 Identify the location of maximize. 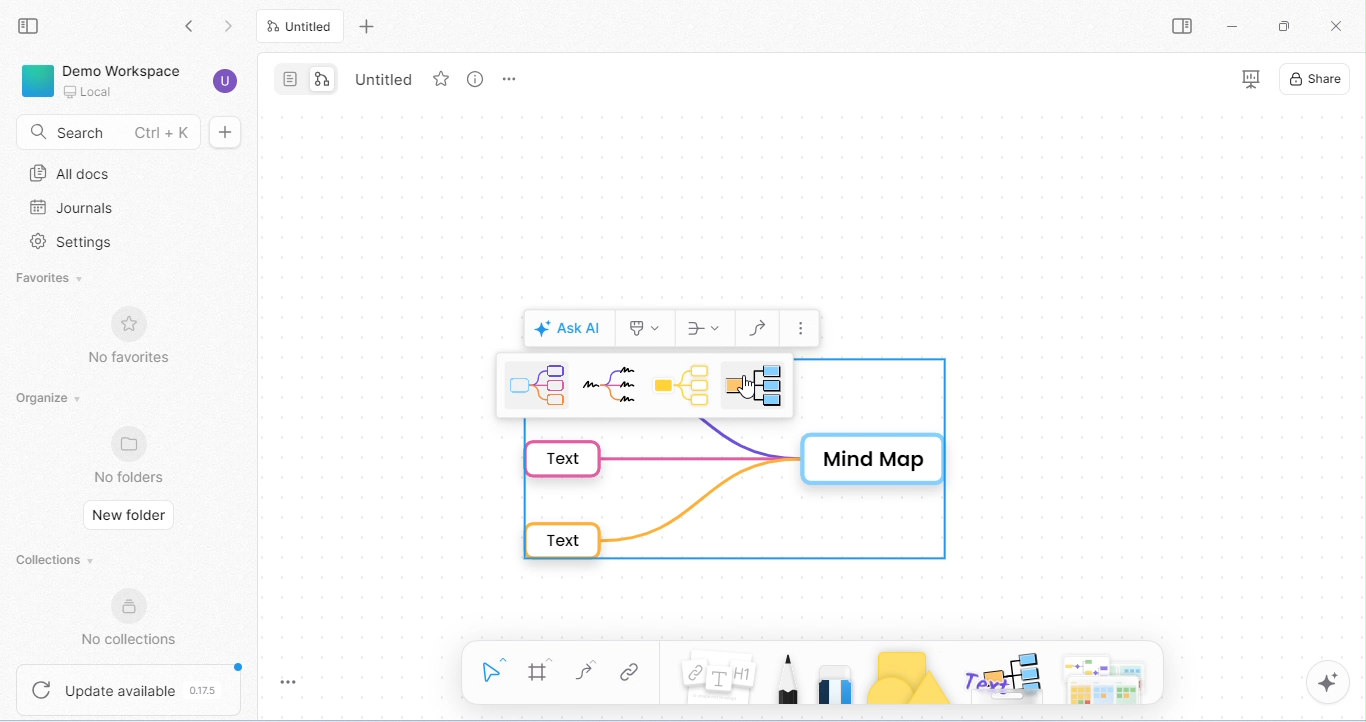
(1286, 26).